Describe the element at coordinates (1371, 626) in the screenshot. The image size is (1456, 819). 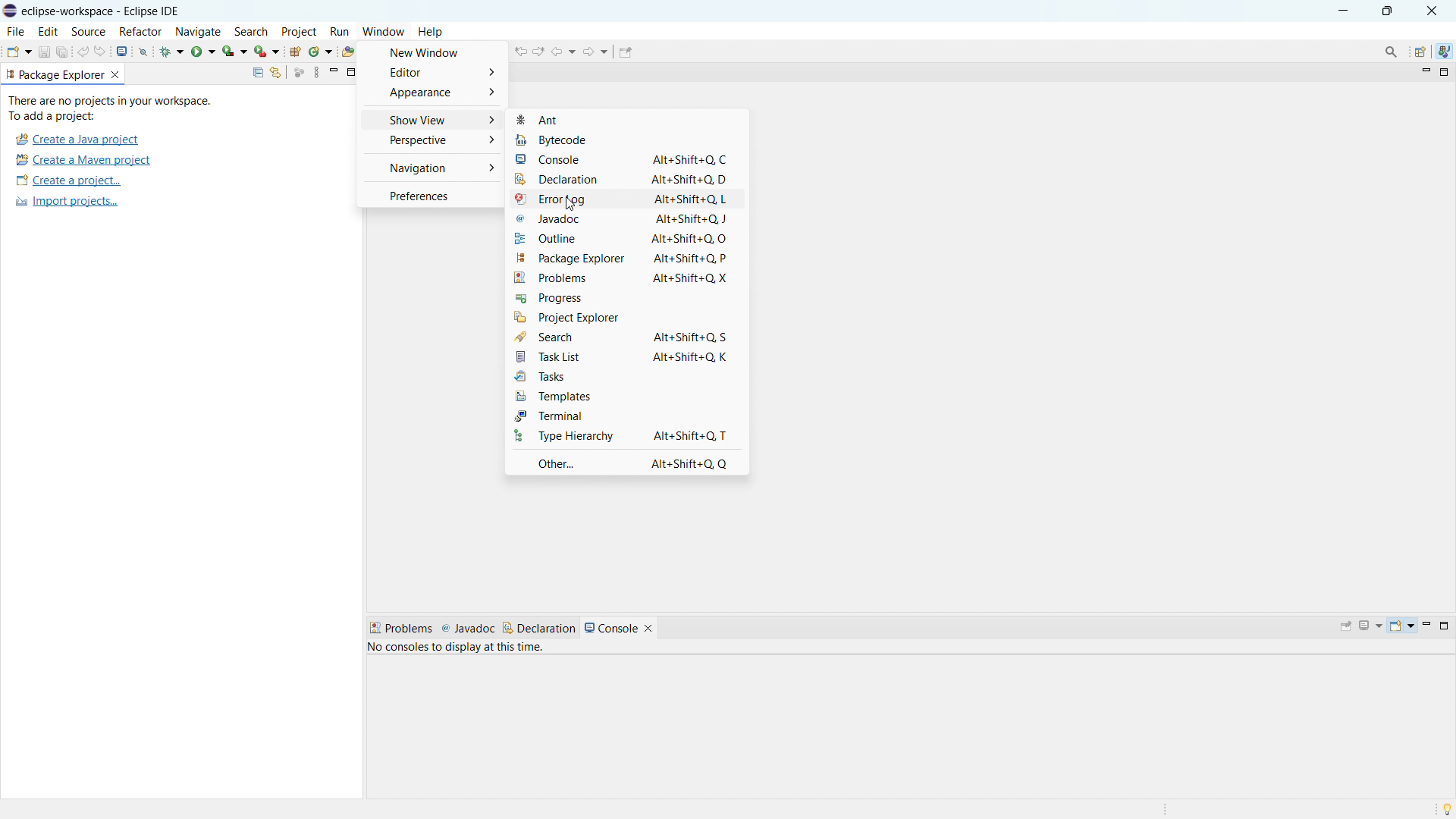
I see `displat selected console` at that location.